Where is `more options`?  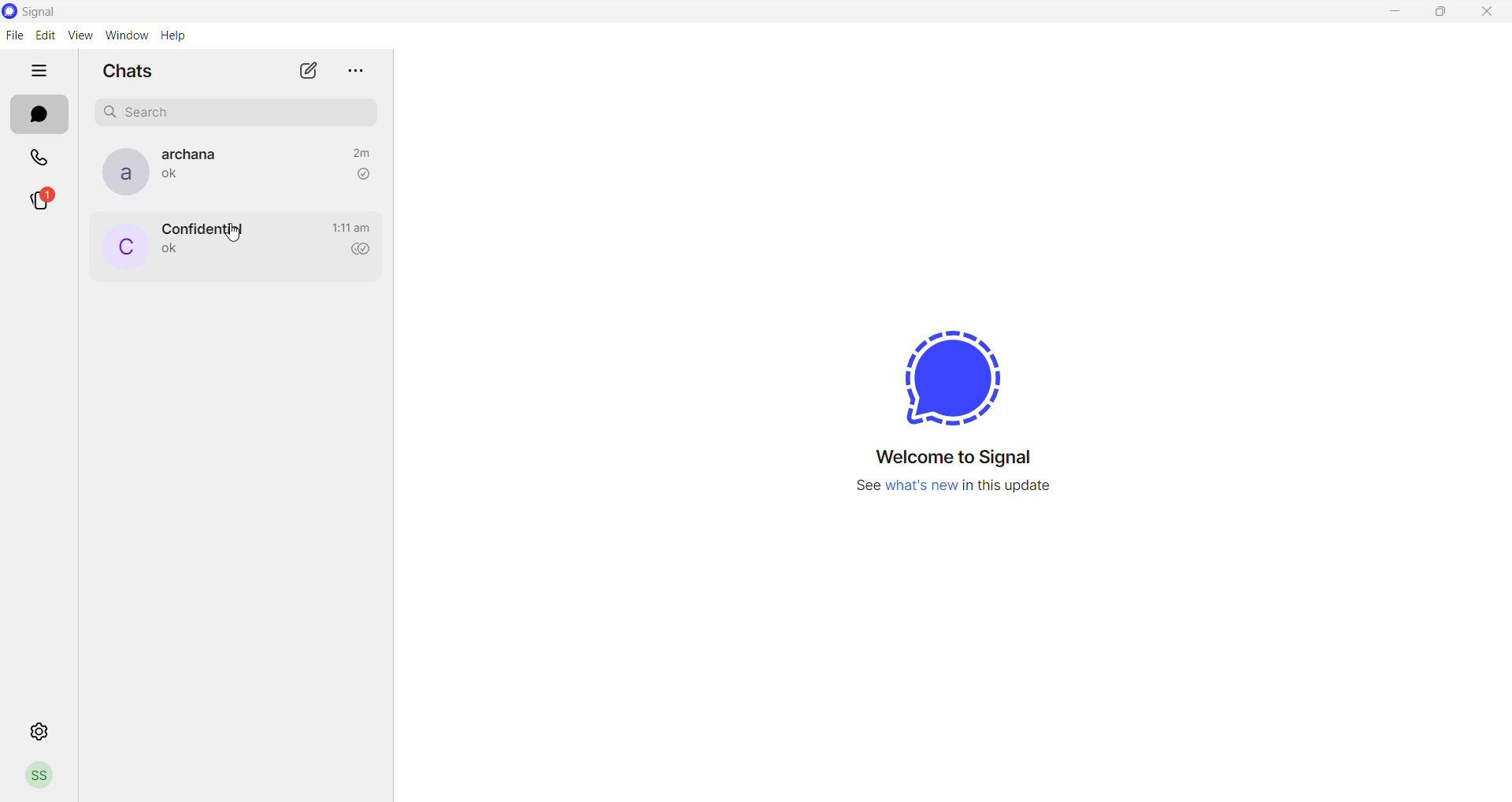
more options is located at coordinates (357, 66).